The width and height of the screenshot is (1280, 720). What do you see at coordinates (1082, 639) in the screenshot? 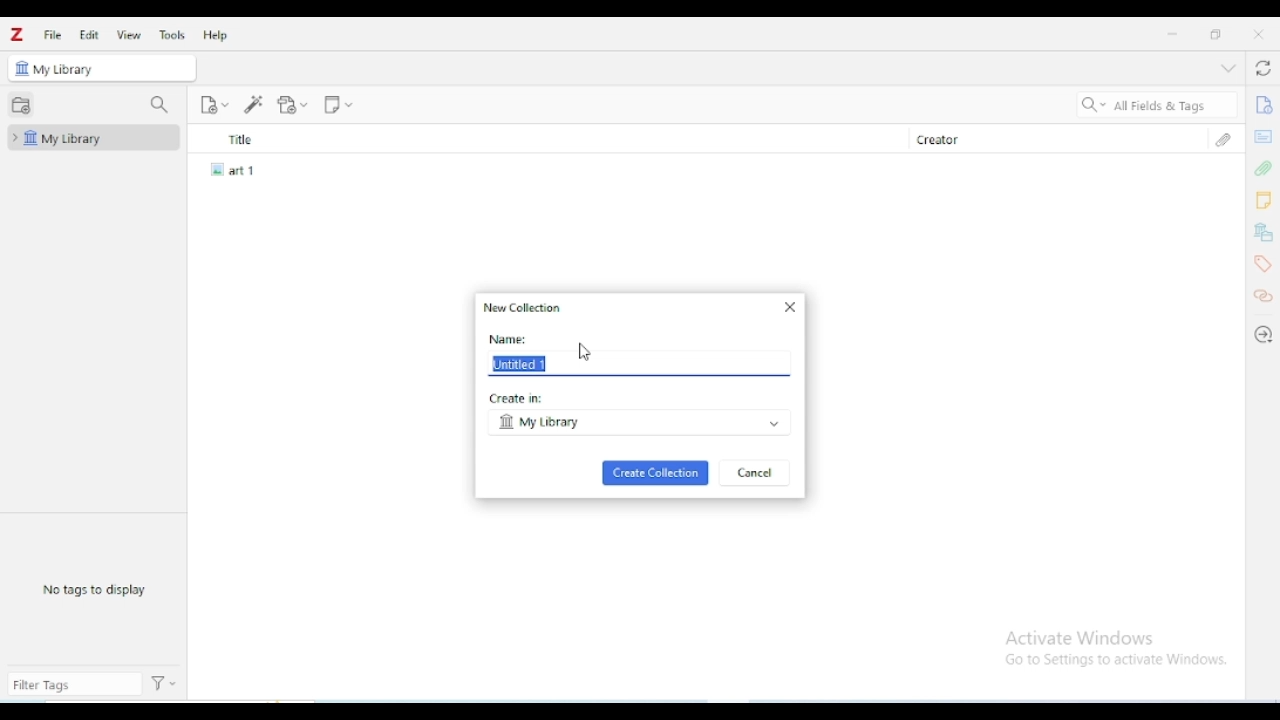
I see `Activate Windows` at bounding box center [1082, 639].